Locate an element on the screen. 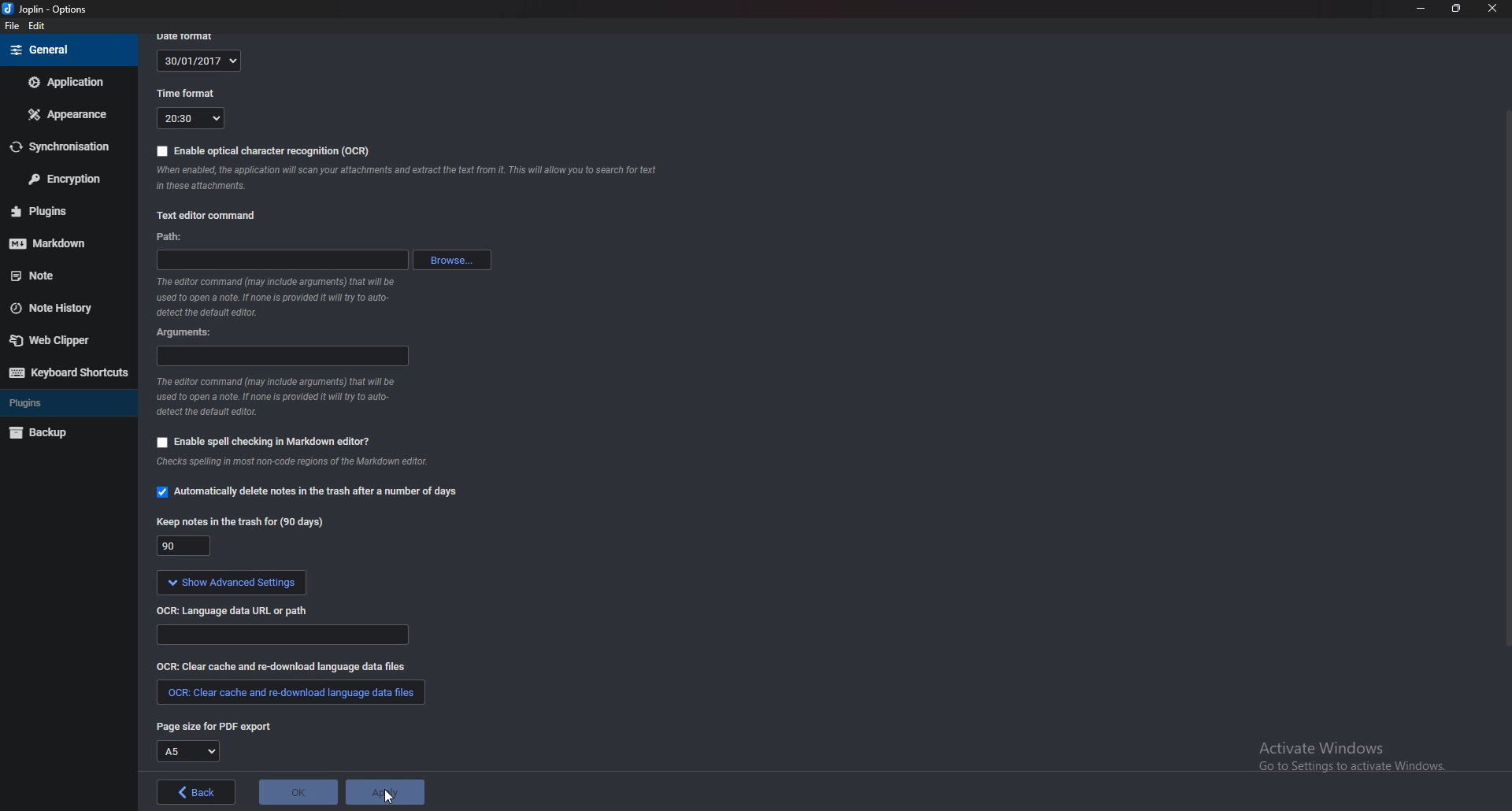  Arguments is located at coordinates (191, 333).